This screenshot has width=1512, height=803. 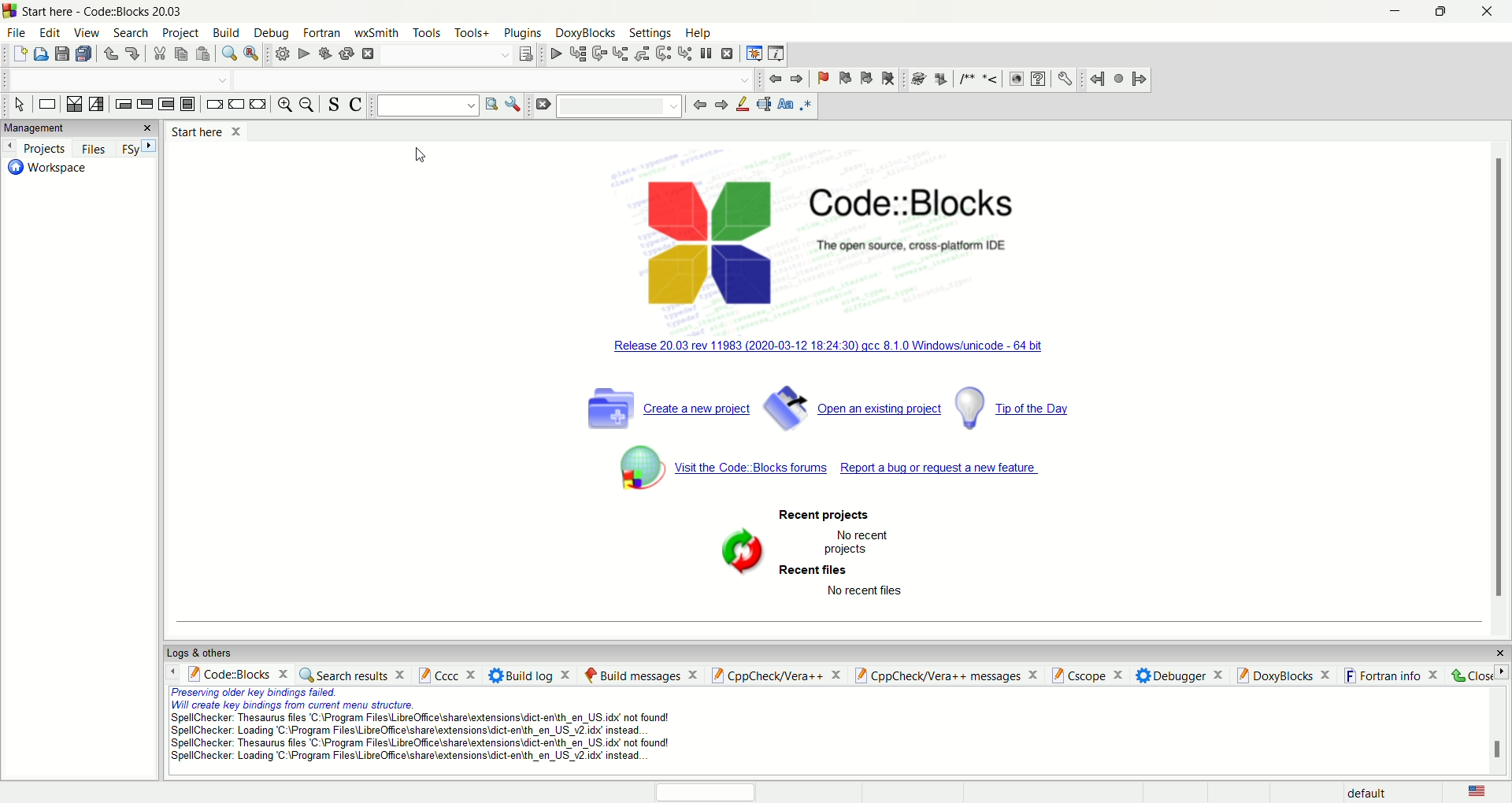 What do you see at coordinates (950, 468) in the screenshot?
I see `Report a bug or request a new feature` at bounding box center [950, 468].